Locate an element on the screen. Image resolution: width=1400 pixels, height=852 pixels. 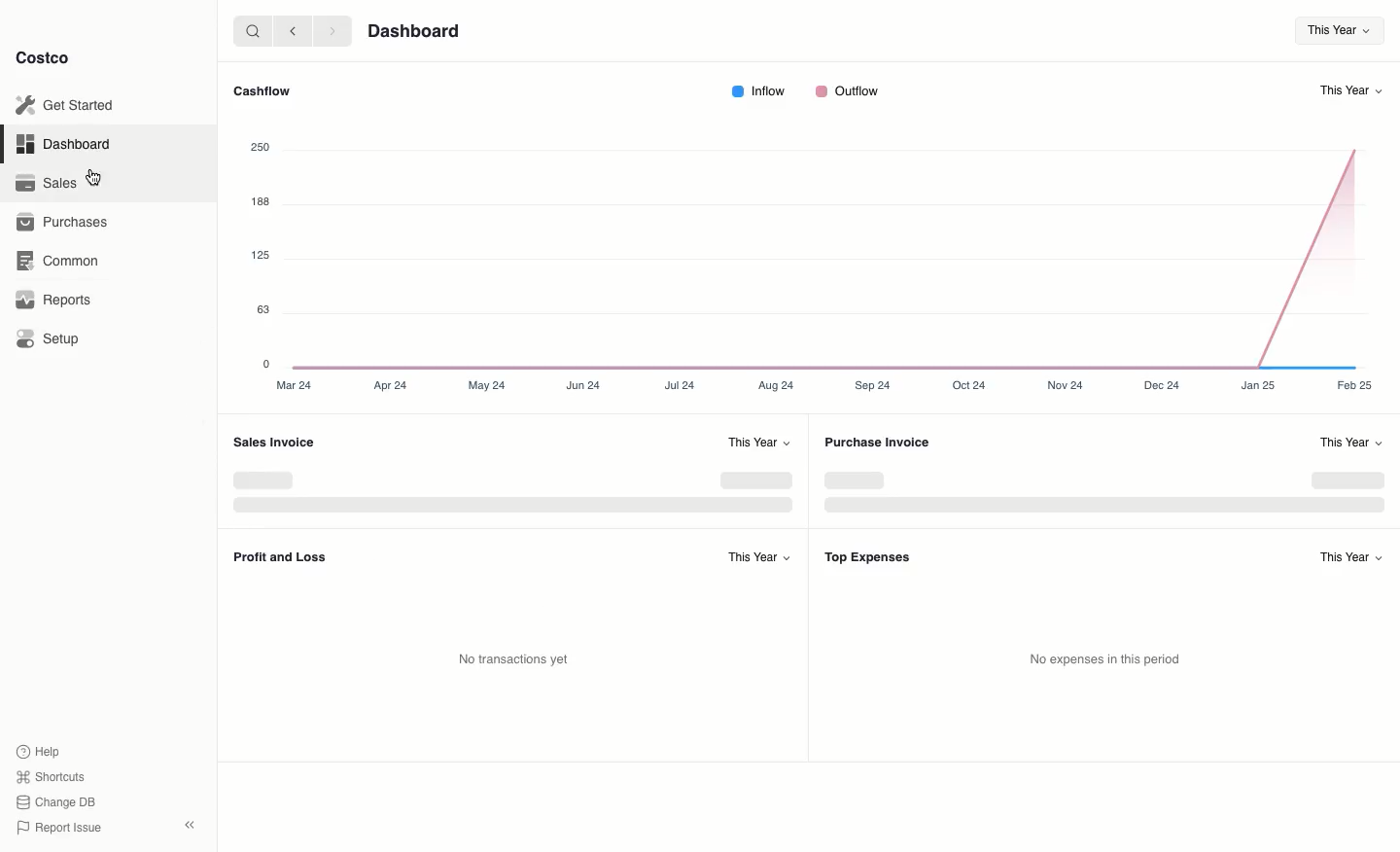
Jun 24 is located at coordinates (584, 385).